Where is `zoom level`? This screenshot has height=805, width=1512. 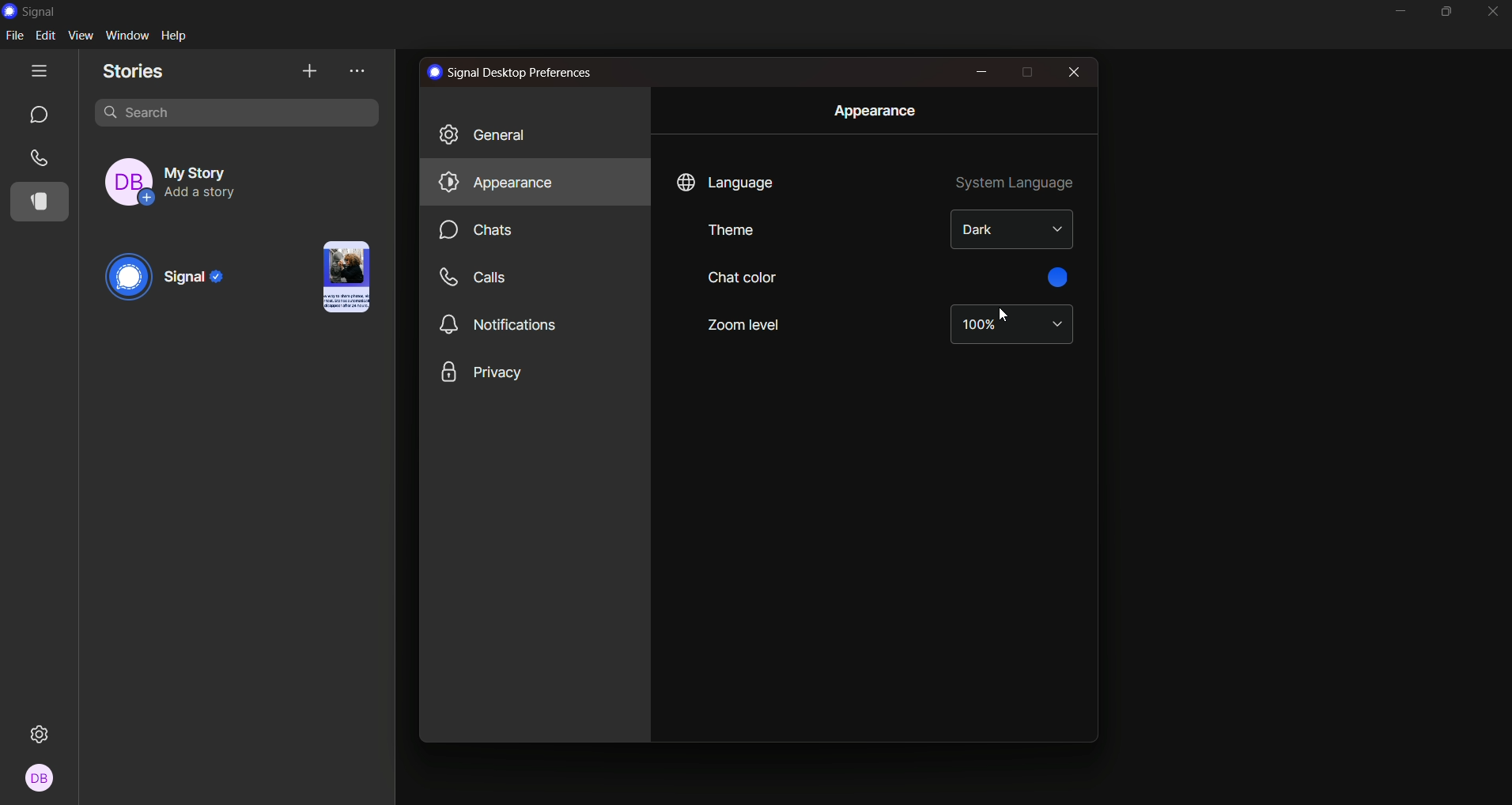 zoom level is located at coordinates (747, 323).